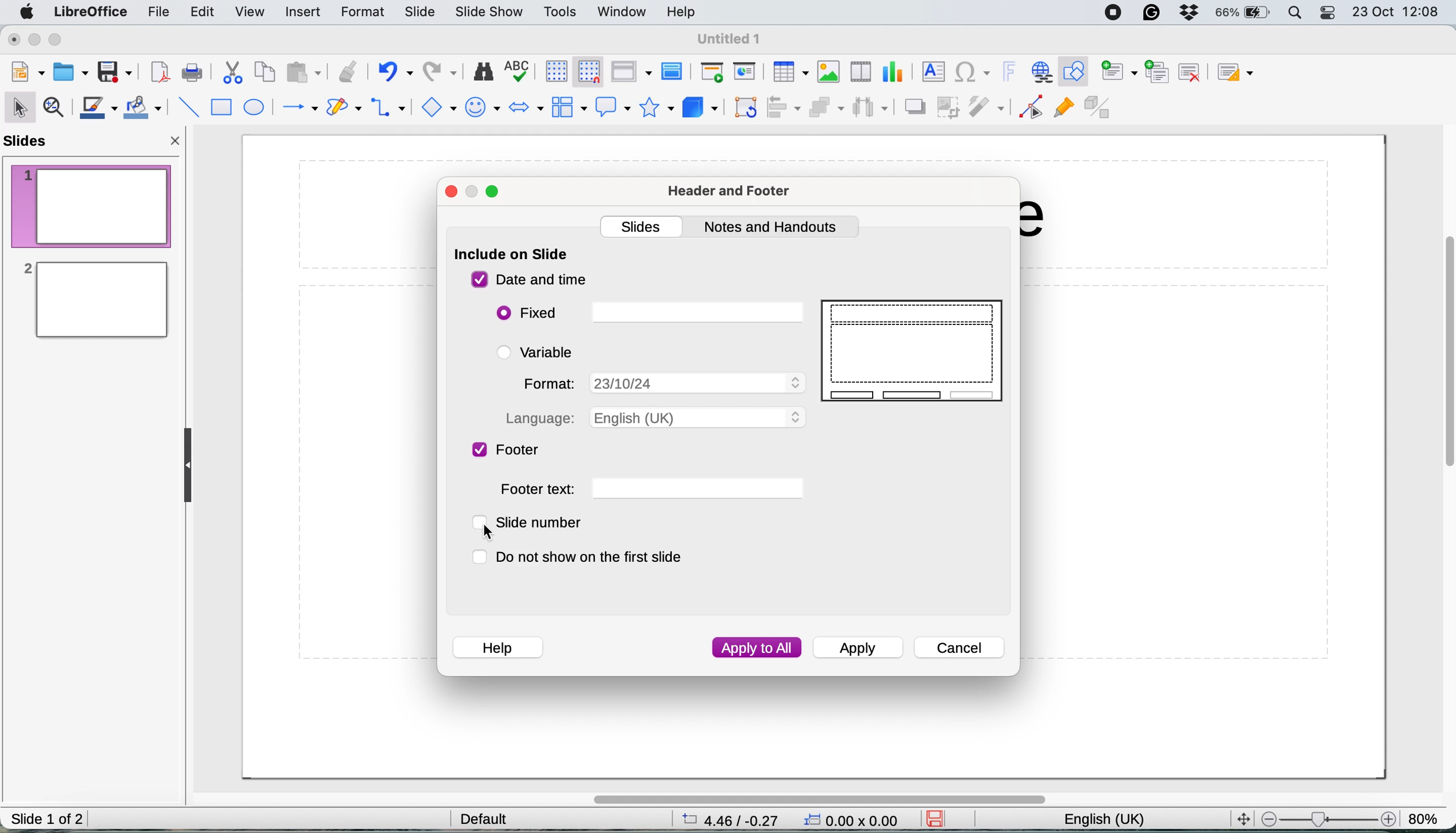 This screenshot has width=1456, height=833. Describe the element at coordinates (508, 451) in the screenshot. I see `footer` at that location.